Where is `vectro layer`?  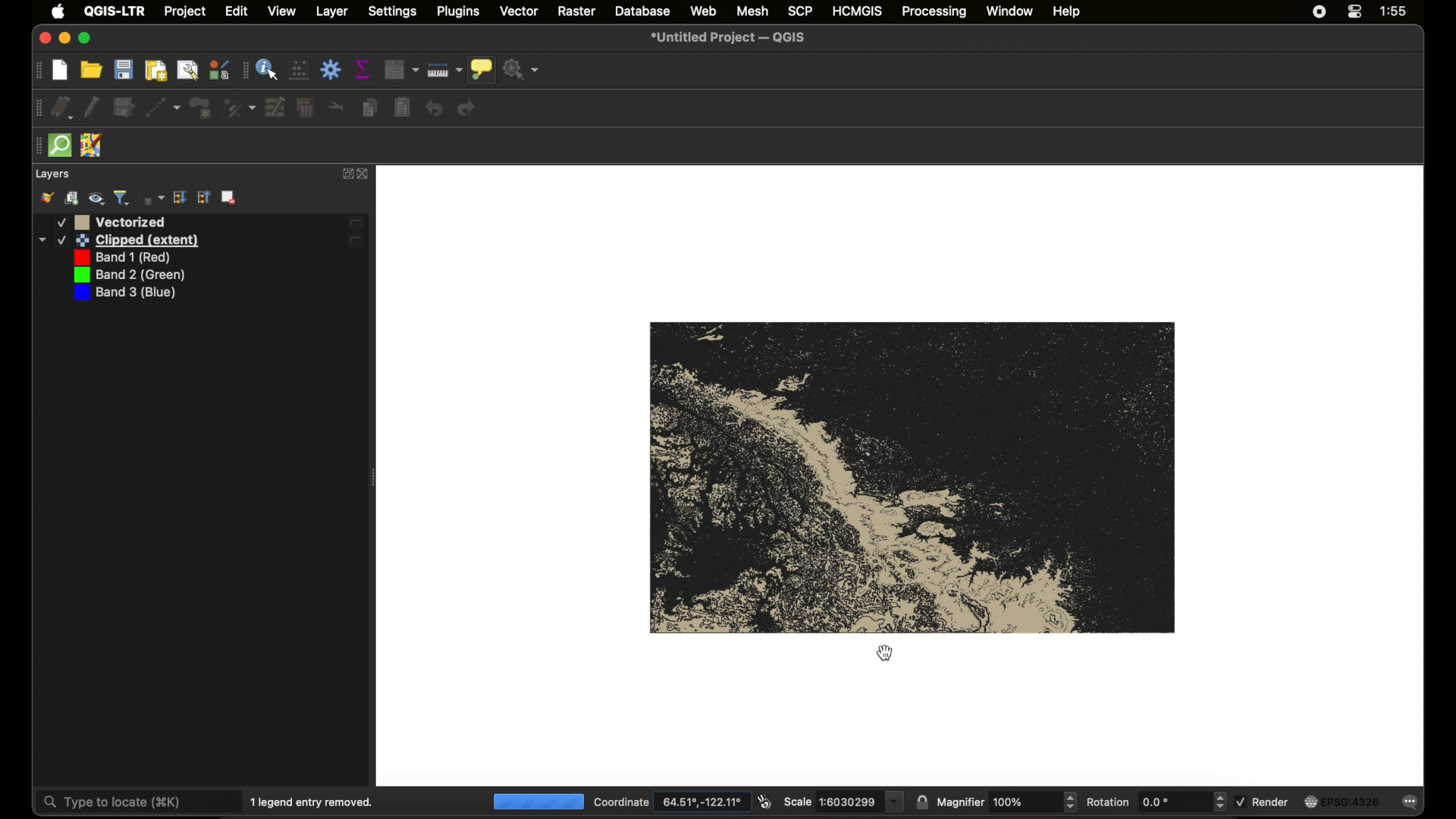 vectro layer is located at coordinates (206, 221).